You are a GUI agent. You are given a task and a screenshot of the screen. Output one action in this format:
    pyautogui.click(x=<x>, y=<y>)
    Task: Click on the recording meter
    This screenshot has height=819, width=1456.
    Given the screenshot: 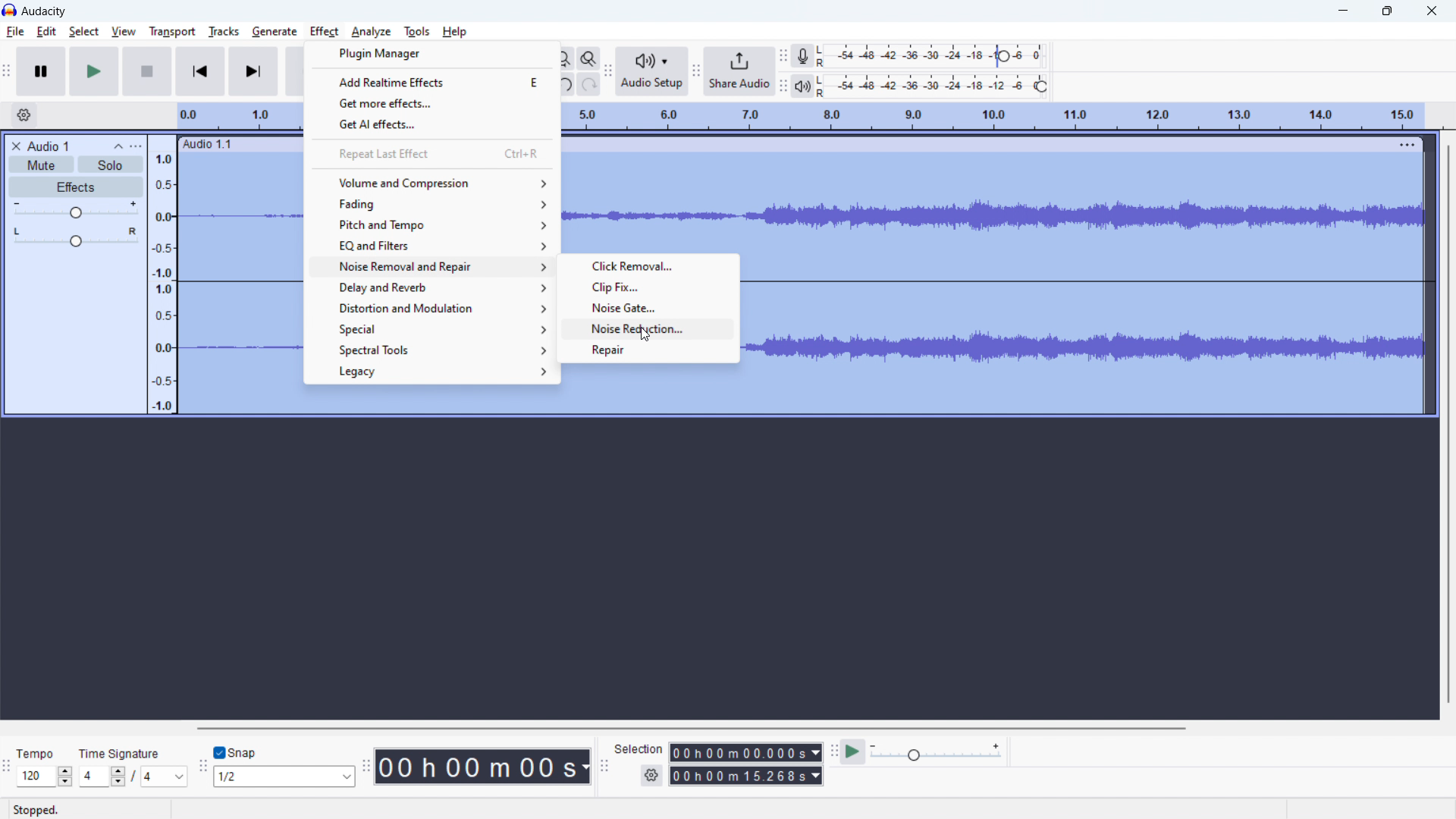 What is the action you would take?
    pyautogui.click(x=802, y=57)
    